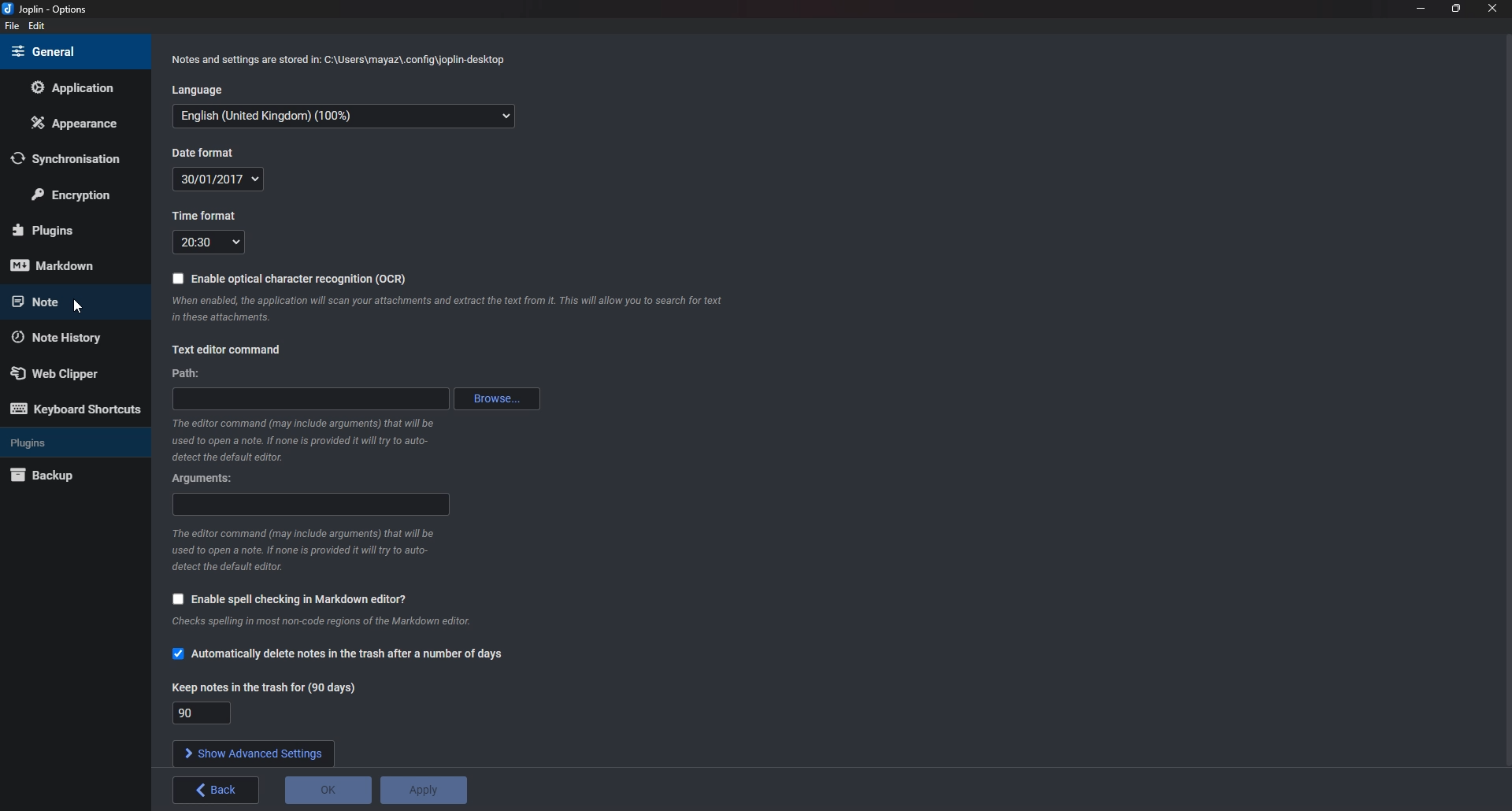 This screenshot has width=1512, height=811. What do you see at coordinates (73, 52) in the screenshot?
I see `General` at bounding box center [73, 52].